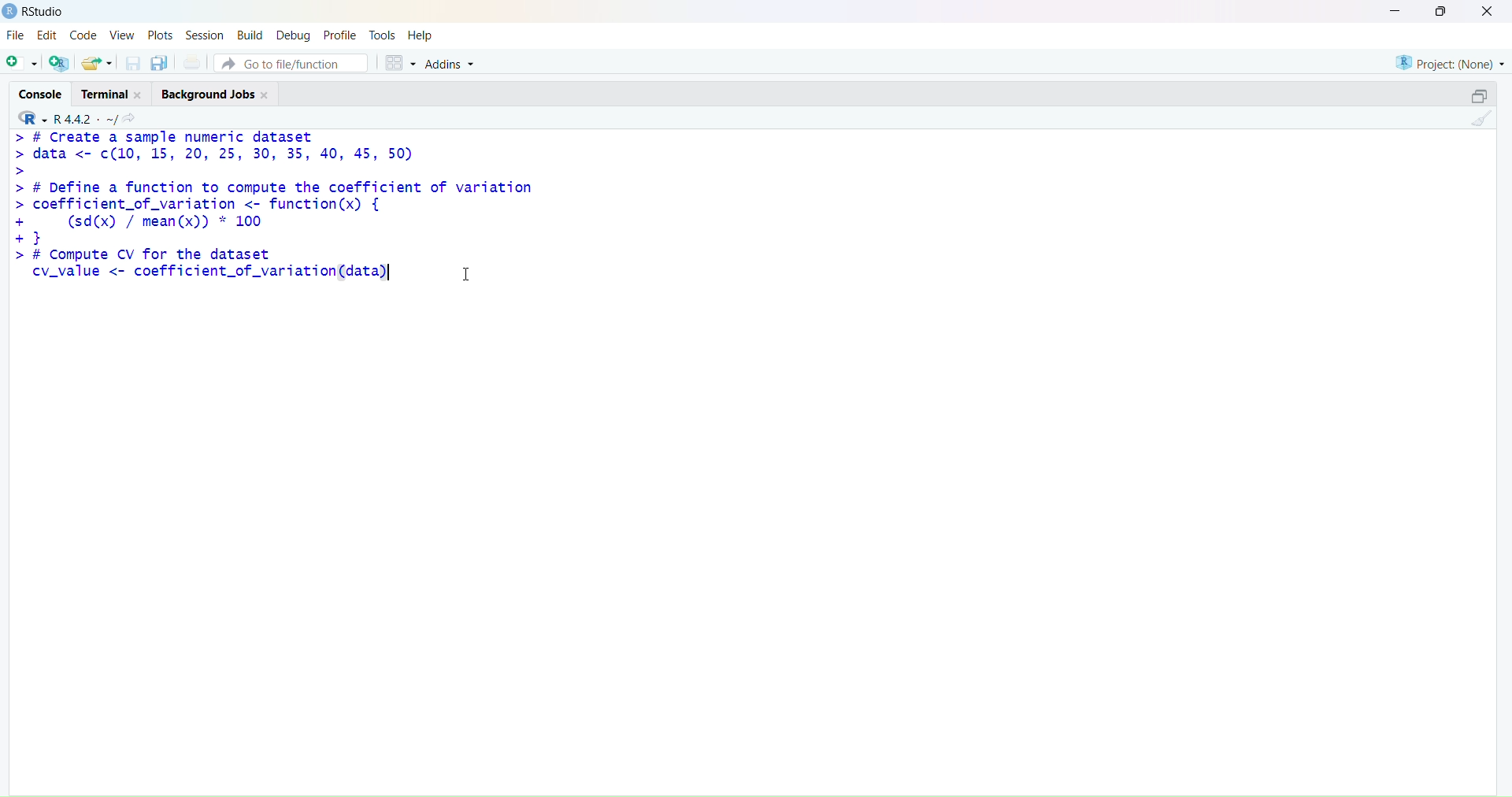  Describe the element at coordinates (1483, 118) in the screenshot. I see `clean` at that location.